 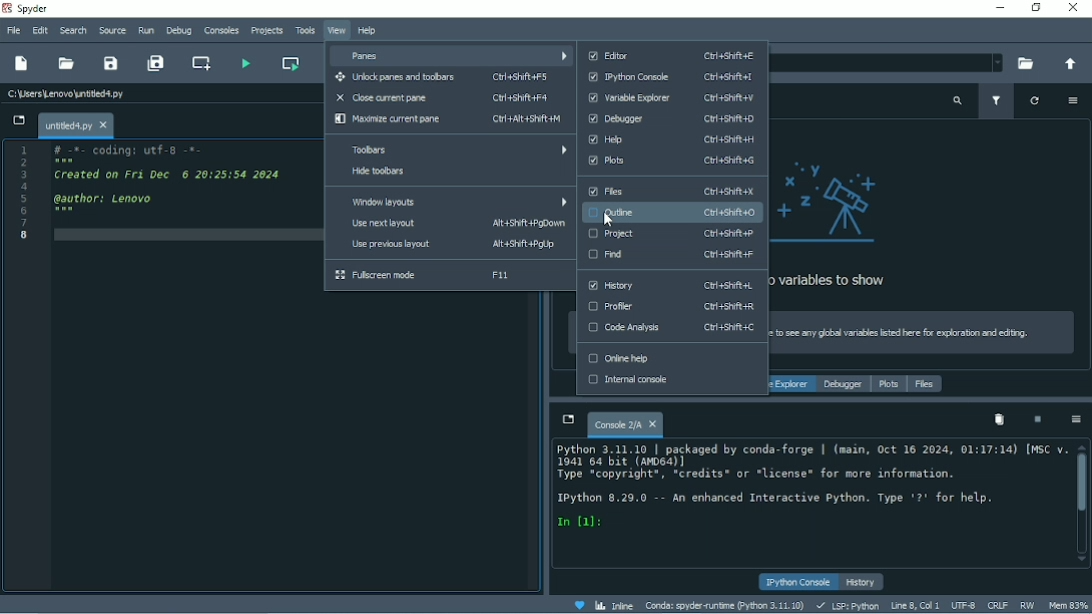 What do you see at coordinates (451, 201) in the screenshot?
I see `Window layouts` at bounding box center [451, 201].